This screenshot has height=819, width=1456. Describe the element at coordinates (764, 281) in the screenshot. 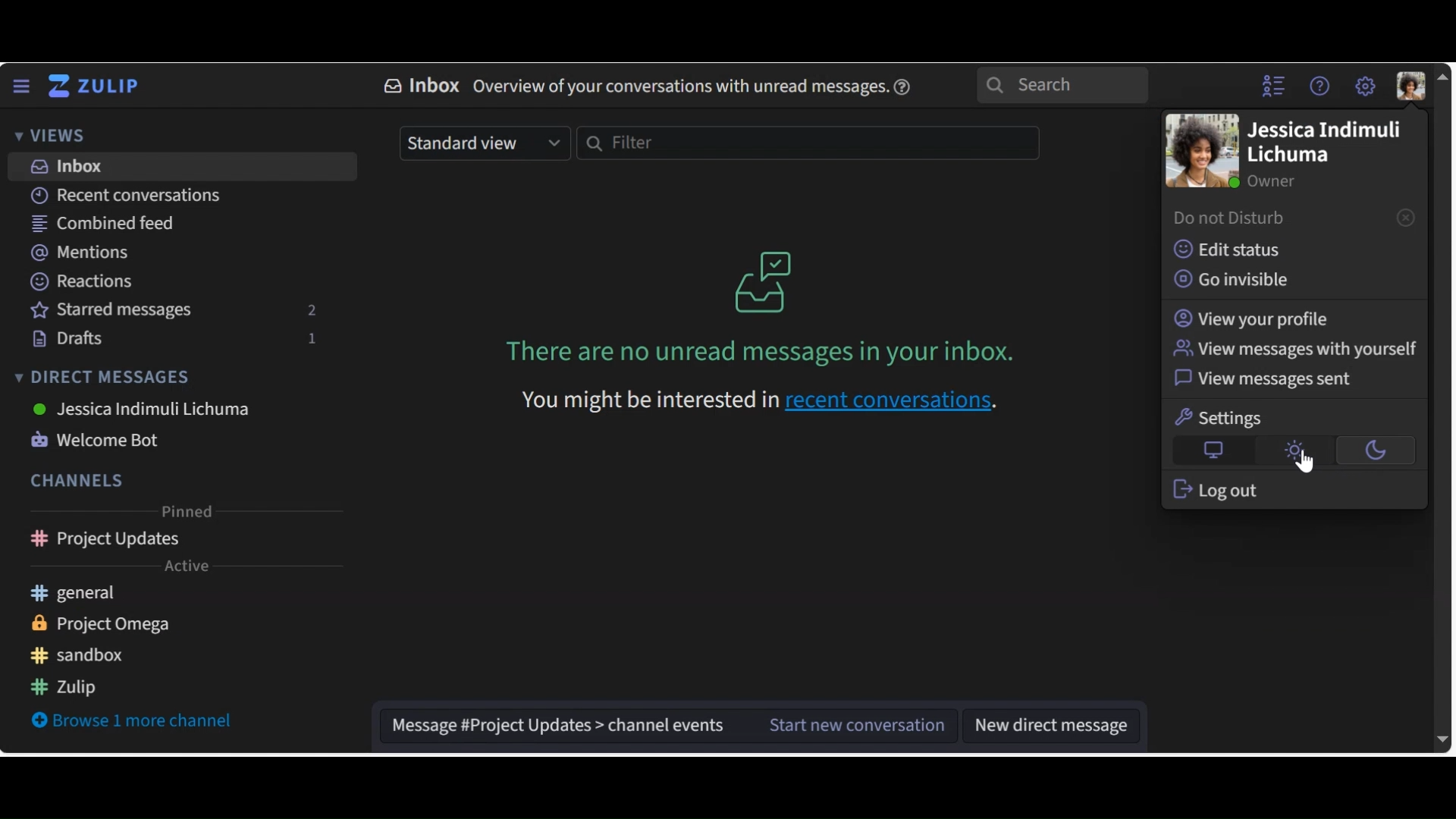

I see `inbox logo` at that location.